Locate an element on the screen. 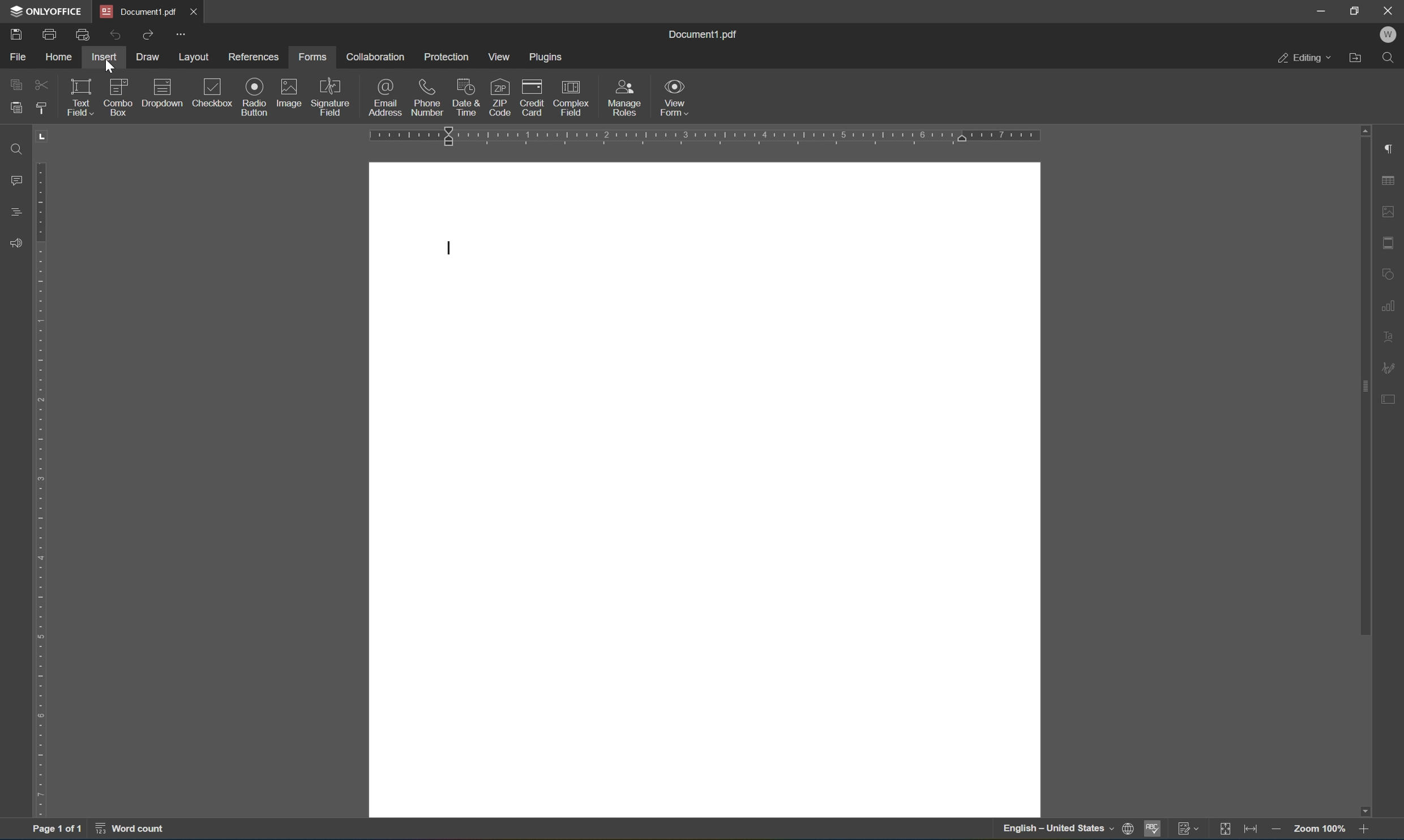  signature field is located at coordinates (332, 96).